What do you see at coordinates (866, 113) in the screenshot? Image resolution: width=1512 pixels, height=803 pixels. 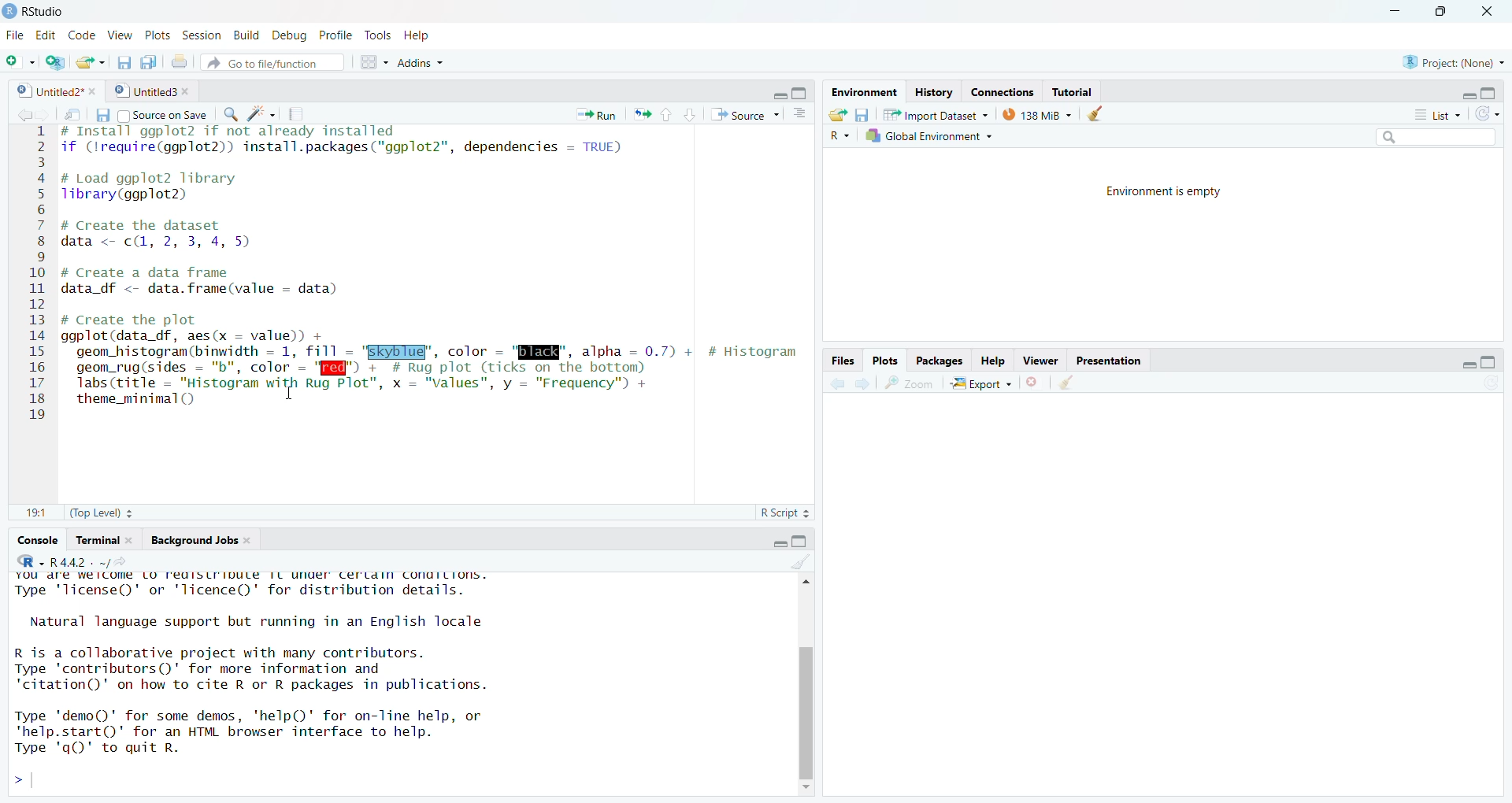 I see `Save` at bounding box center [866, 113].